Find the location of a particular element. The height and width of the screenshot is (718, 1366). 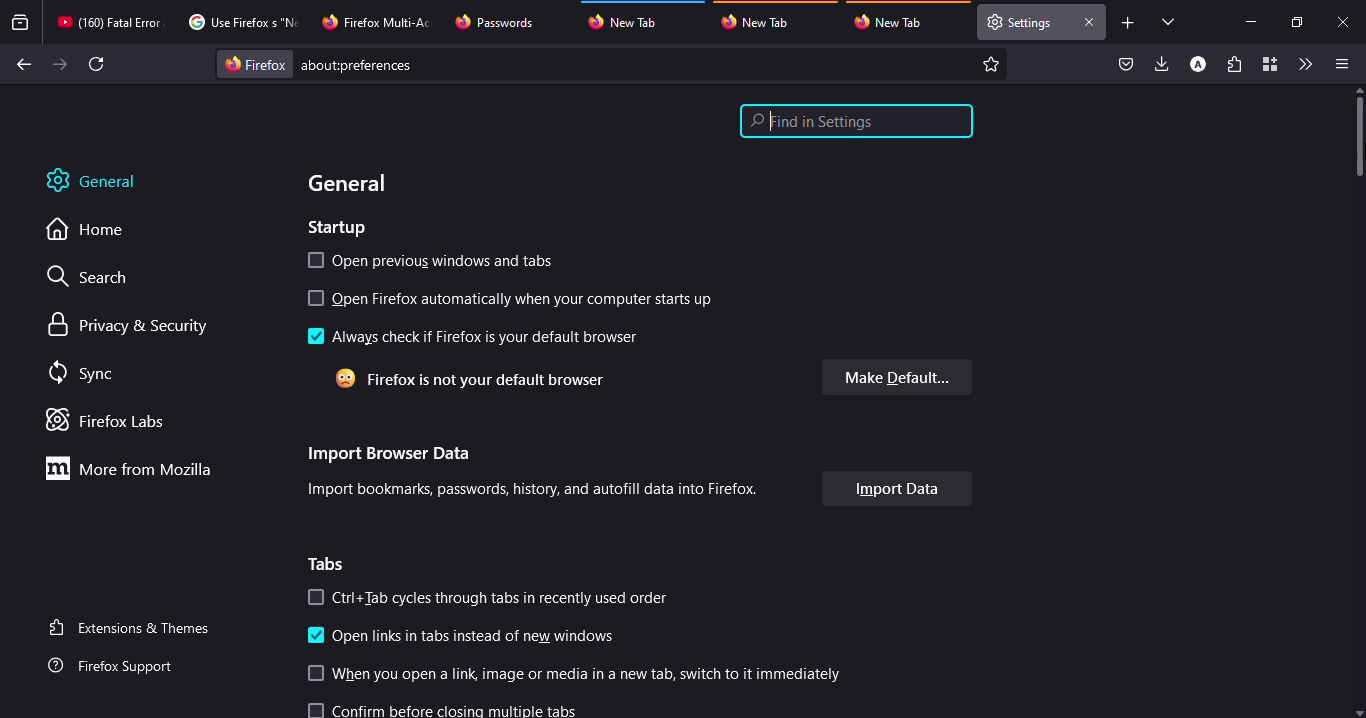

tab is located at coordinates (894, 22).